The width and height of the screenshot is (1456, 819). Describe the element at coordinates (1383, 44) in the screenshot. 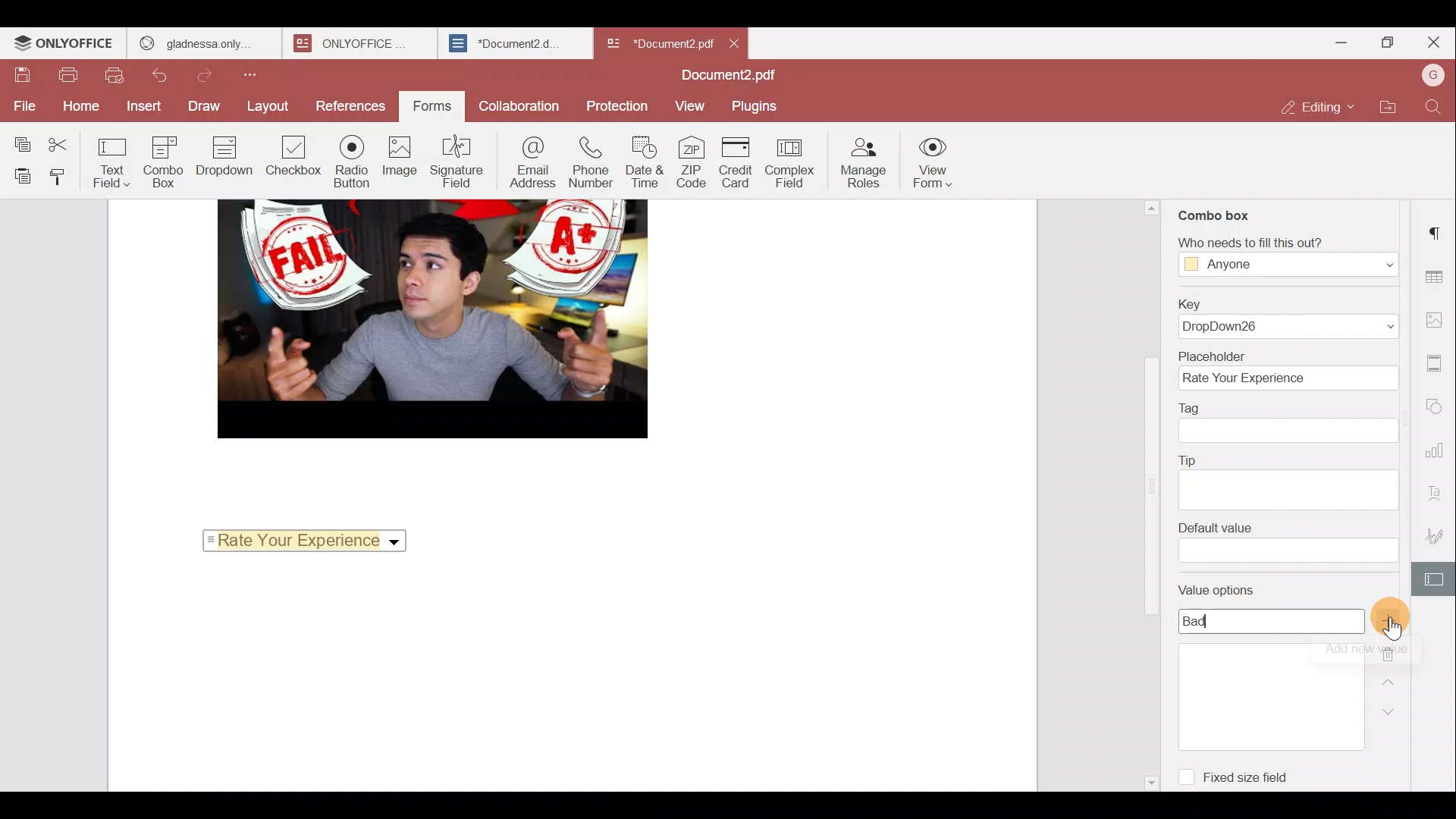

I see `Maximize` at that location.